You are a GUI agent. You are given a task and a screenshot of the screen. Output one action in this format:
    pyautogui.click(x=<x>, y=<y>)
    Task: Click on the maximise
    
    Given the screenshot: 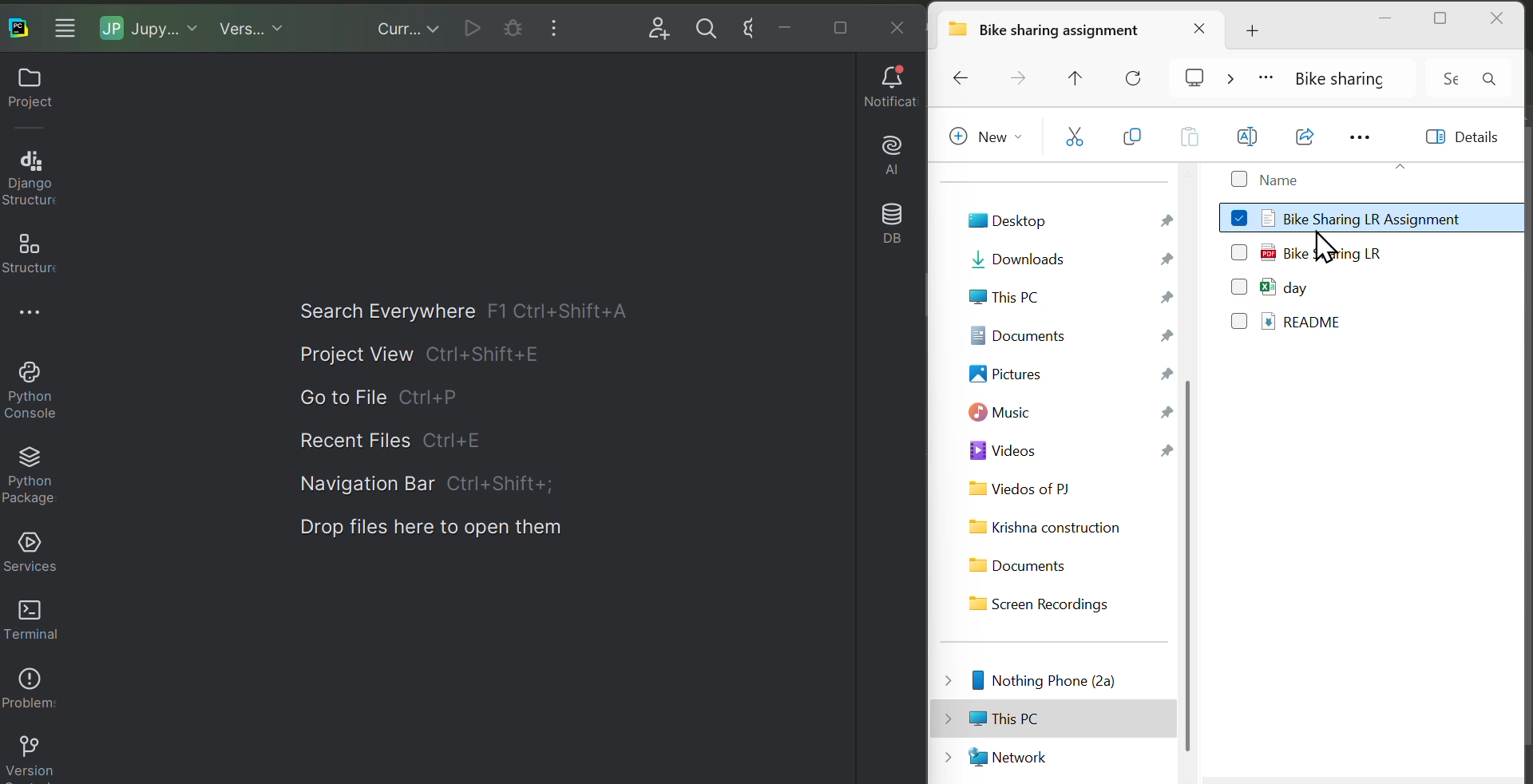 What is the action you would take?
    pyautogui.click(x=1440, y=20)
    